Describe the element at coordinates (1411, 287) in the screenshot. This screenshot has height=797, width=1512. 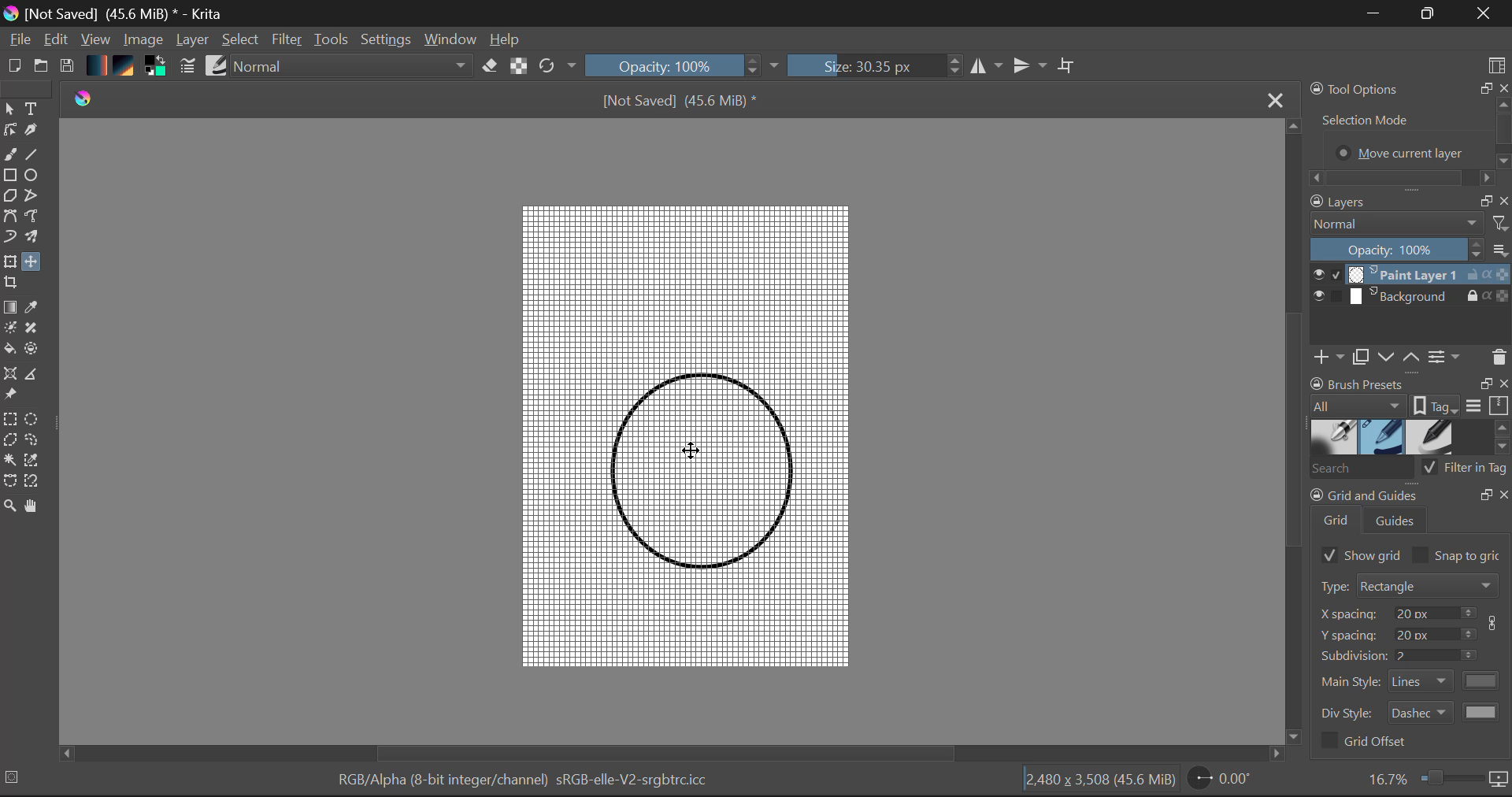
I see `Layers` at that location.